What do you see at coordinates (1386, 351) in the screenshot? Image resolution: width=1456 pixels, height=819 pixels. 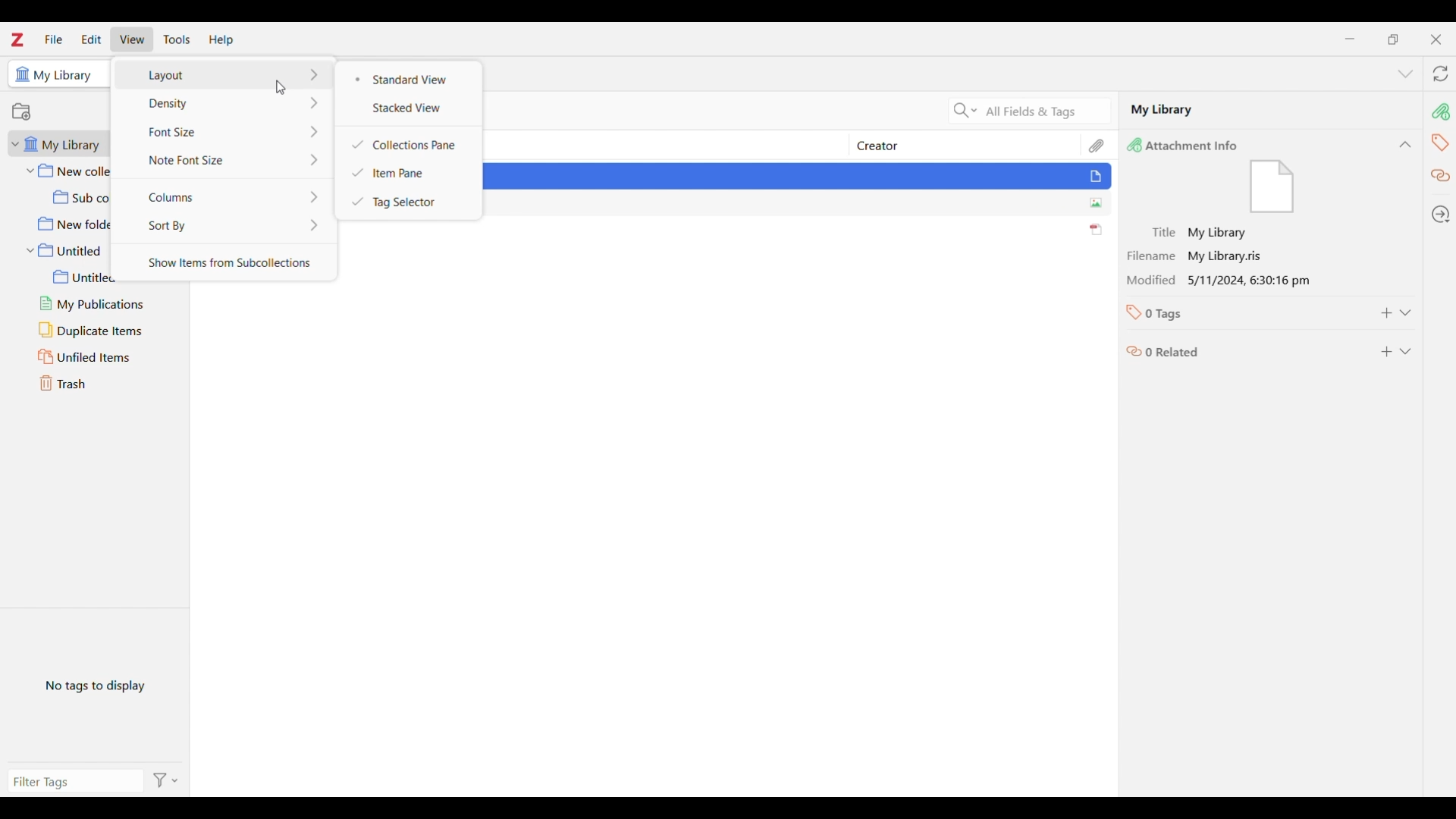 I see `Add to related` at bounding box center [1386, 351].